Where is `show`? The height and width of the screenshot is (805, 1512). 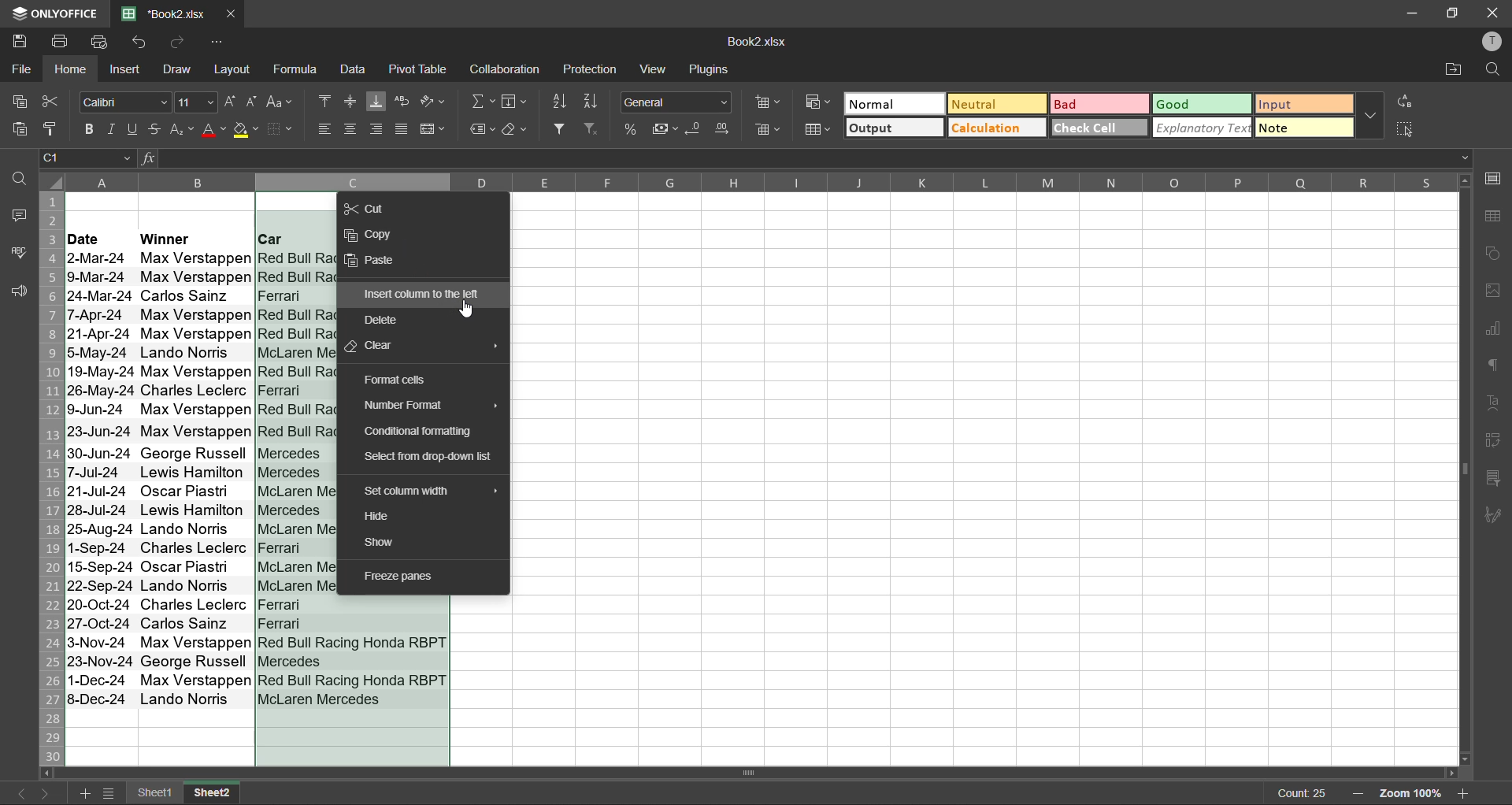
show is located at coordinates (383, 543).